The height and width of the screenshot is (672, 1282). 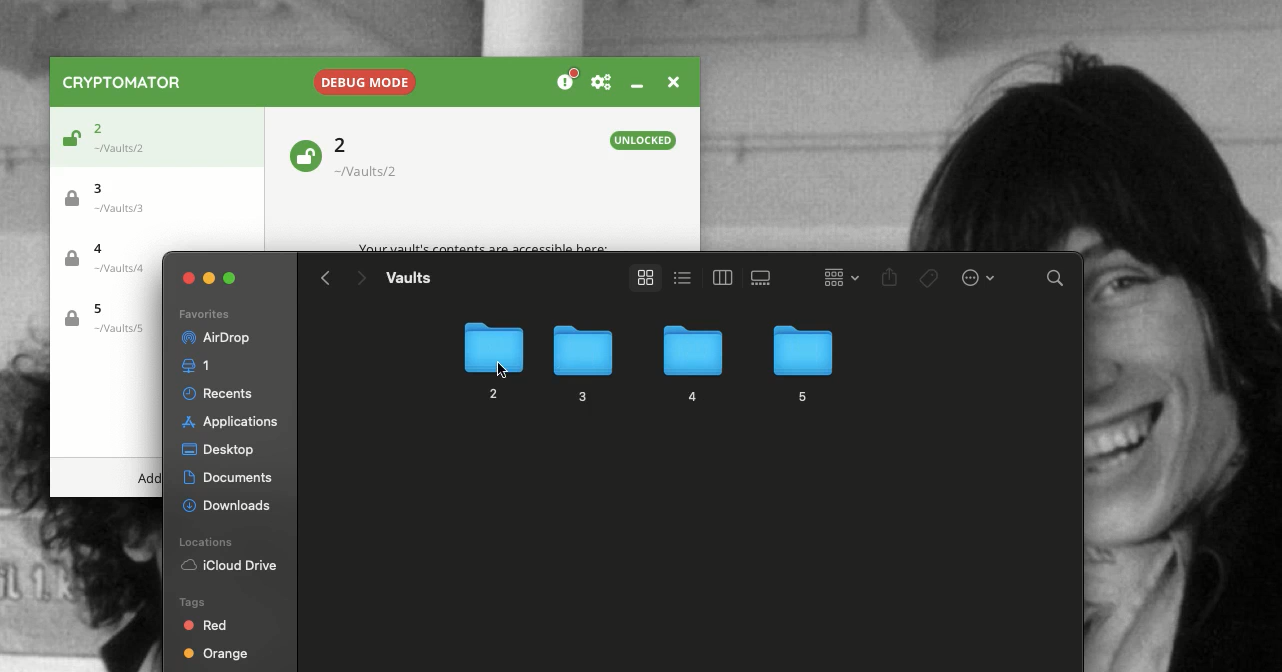 I want to click on View 3, so click(x=764, y=278).